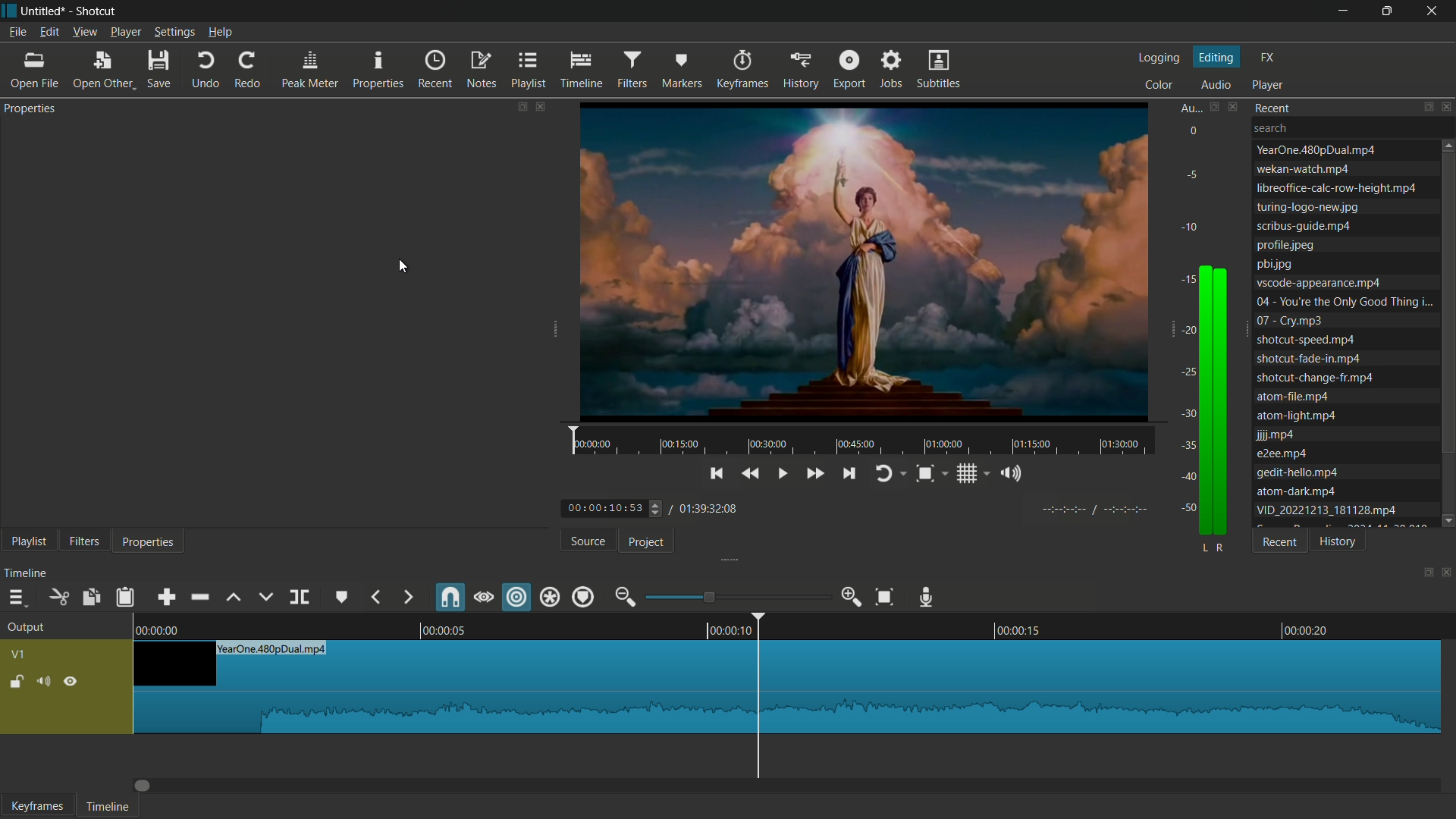 Image resolution: width=1456 pixels, height=819 pixels. Describe the element at coordinates (736, 597) in the screenshot. I see `adjustment bar` at that location.